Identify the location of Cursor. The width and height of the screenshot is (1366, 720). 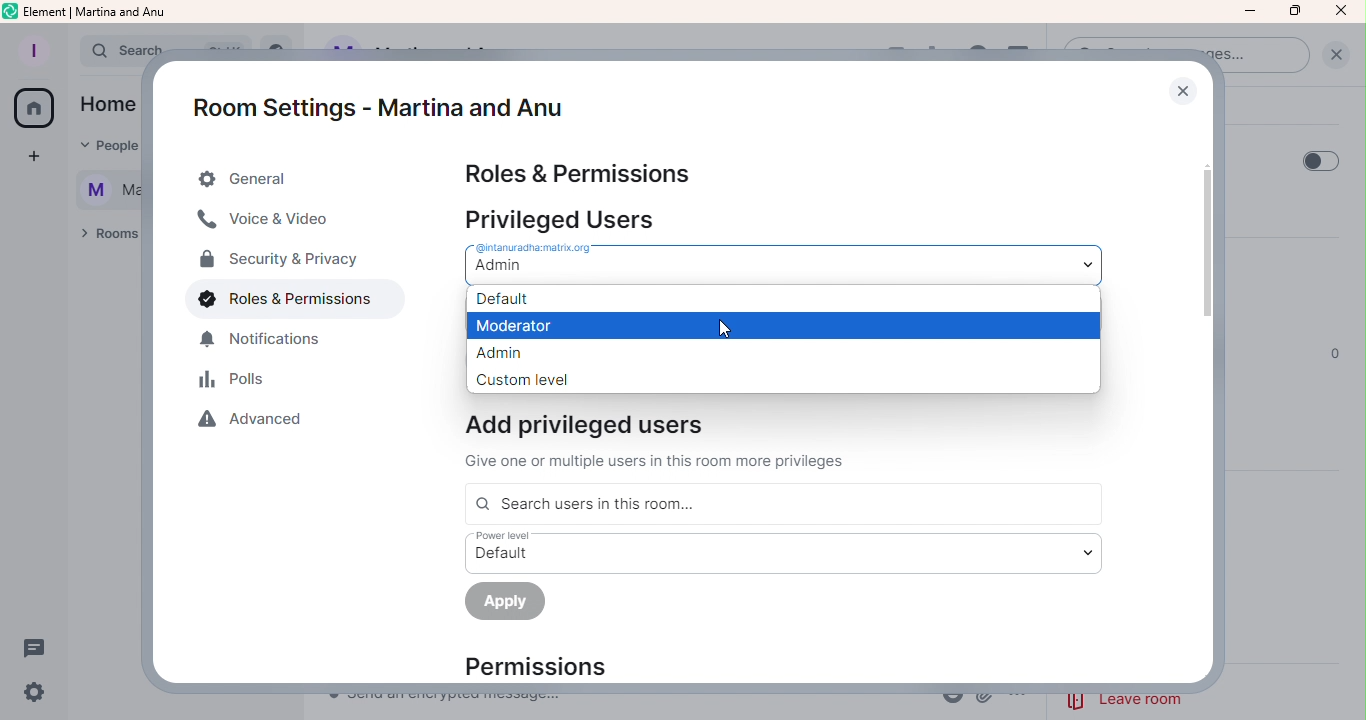
(721, 326).